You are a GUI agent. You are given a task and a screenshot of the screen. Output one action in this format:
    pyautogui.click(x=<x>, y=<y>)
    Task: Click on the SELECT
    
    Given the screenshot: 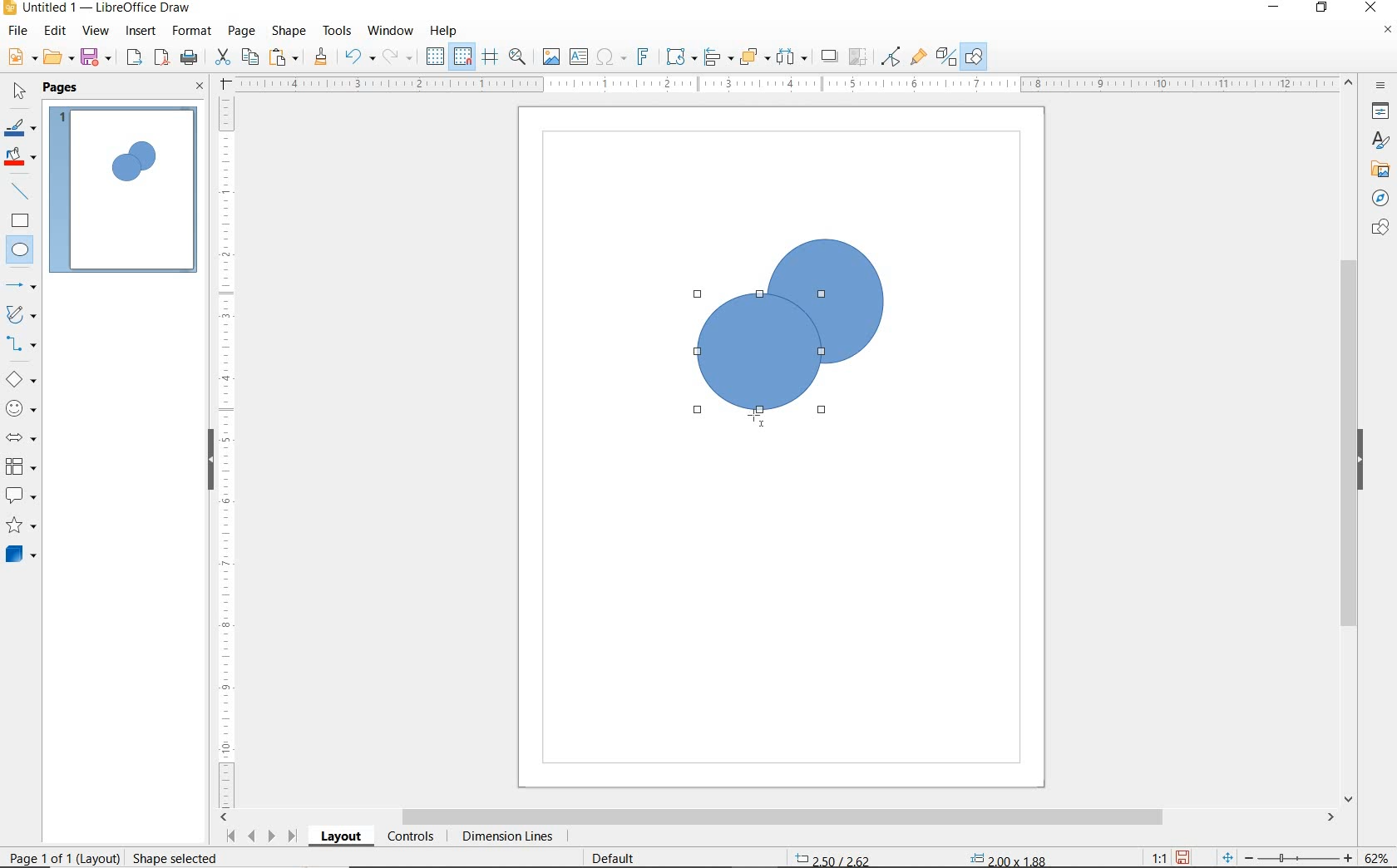 What is the action you would take?
    pyautogui.click(x=20, y=92)
    